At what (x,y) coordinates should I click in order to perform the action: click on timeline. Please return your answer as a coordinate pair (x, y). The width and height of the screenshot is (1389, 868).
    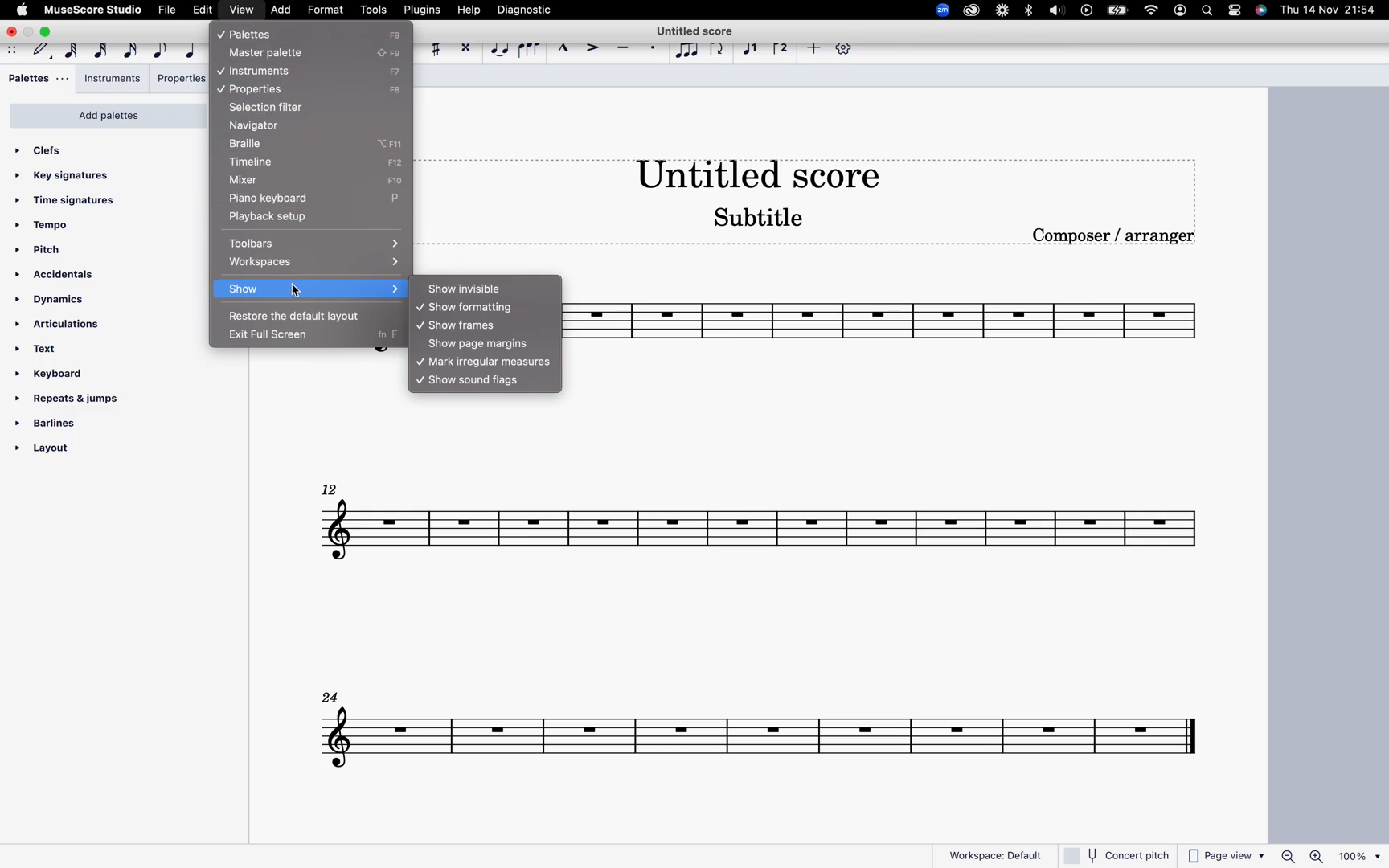
    Looking at the image, I should click on (297, 162).